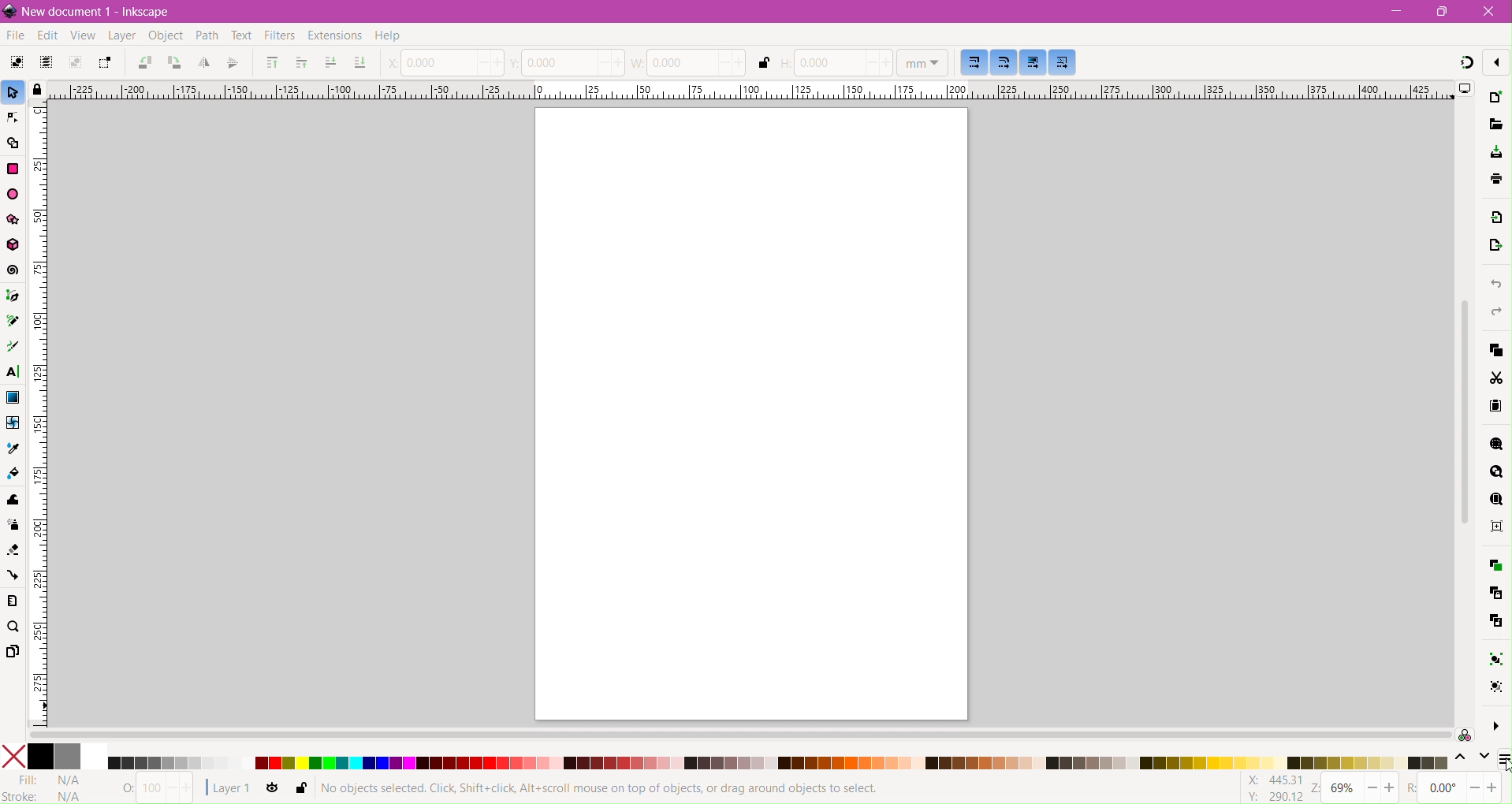 This screenshot has height=804, width=1512. I want to click on Object Rotate 90, so click(173, 64).